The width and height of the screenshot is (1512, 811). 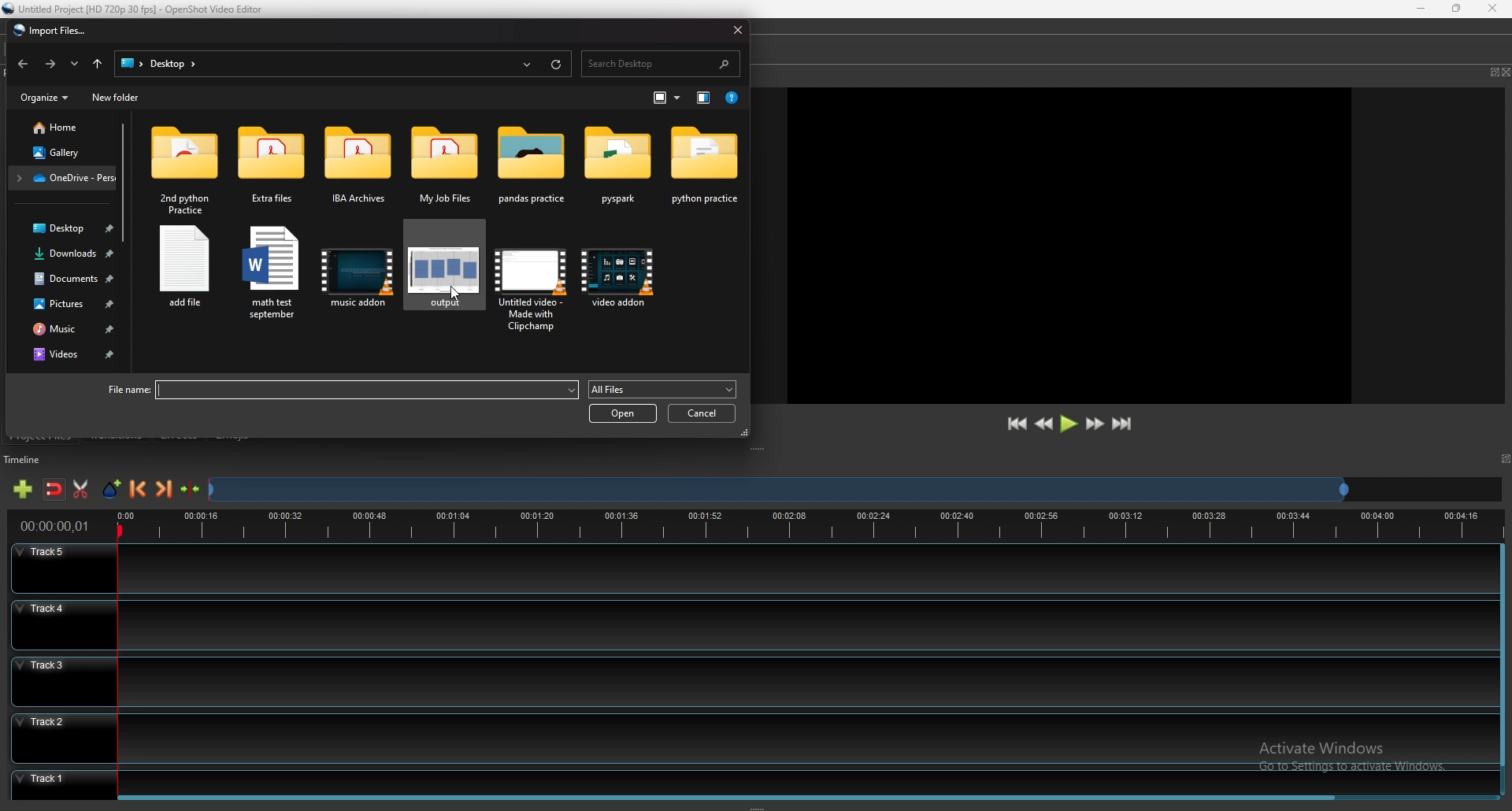 What do you see at coordinates (55, 526) in the screenshot?
I see `time` at bounding box center [55, 526].